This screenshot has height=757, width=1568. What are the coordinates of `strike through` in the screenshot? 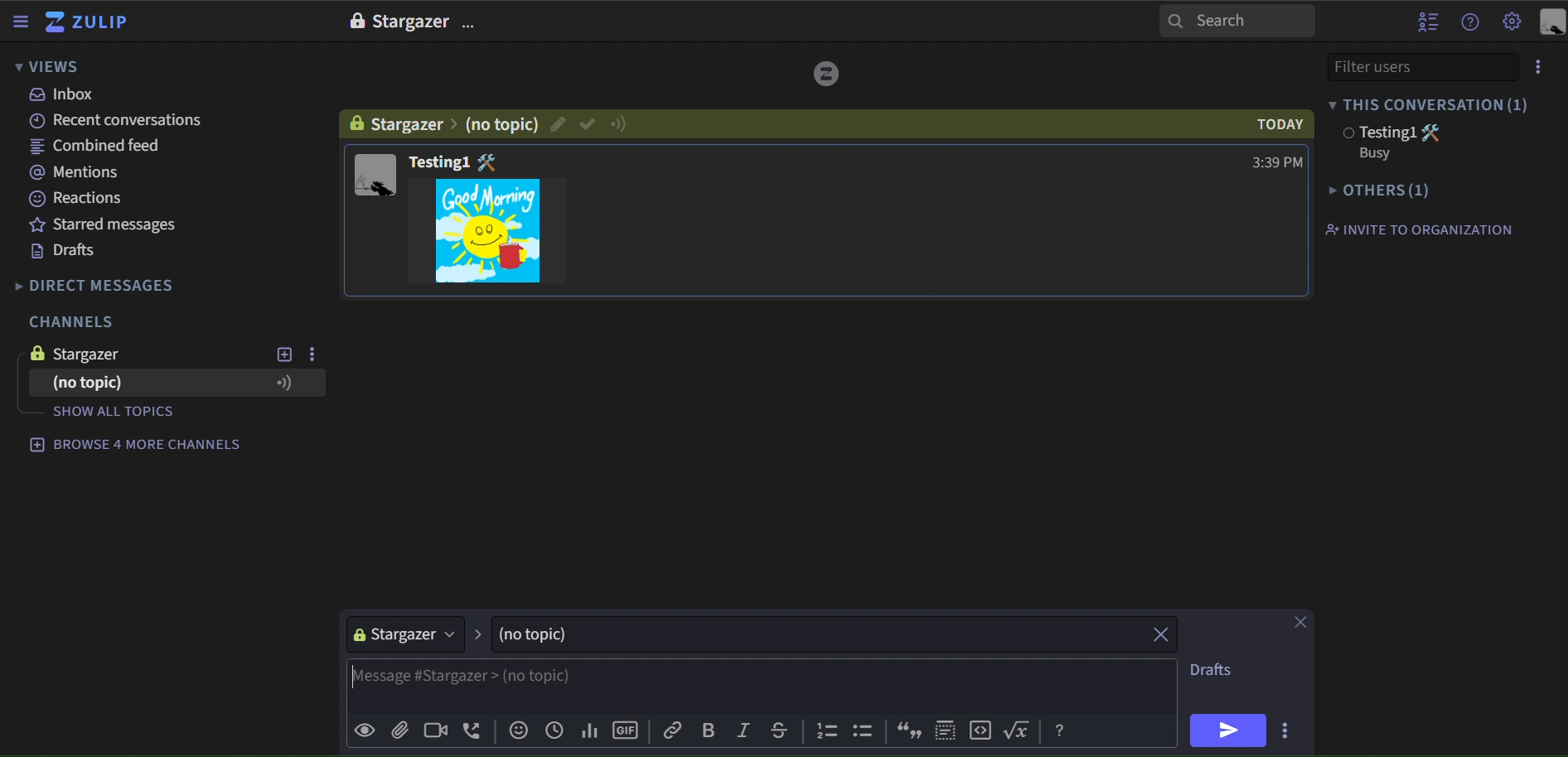 It's located at (777, 728).